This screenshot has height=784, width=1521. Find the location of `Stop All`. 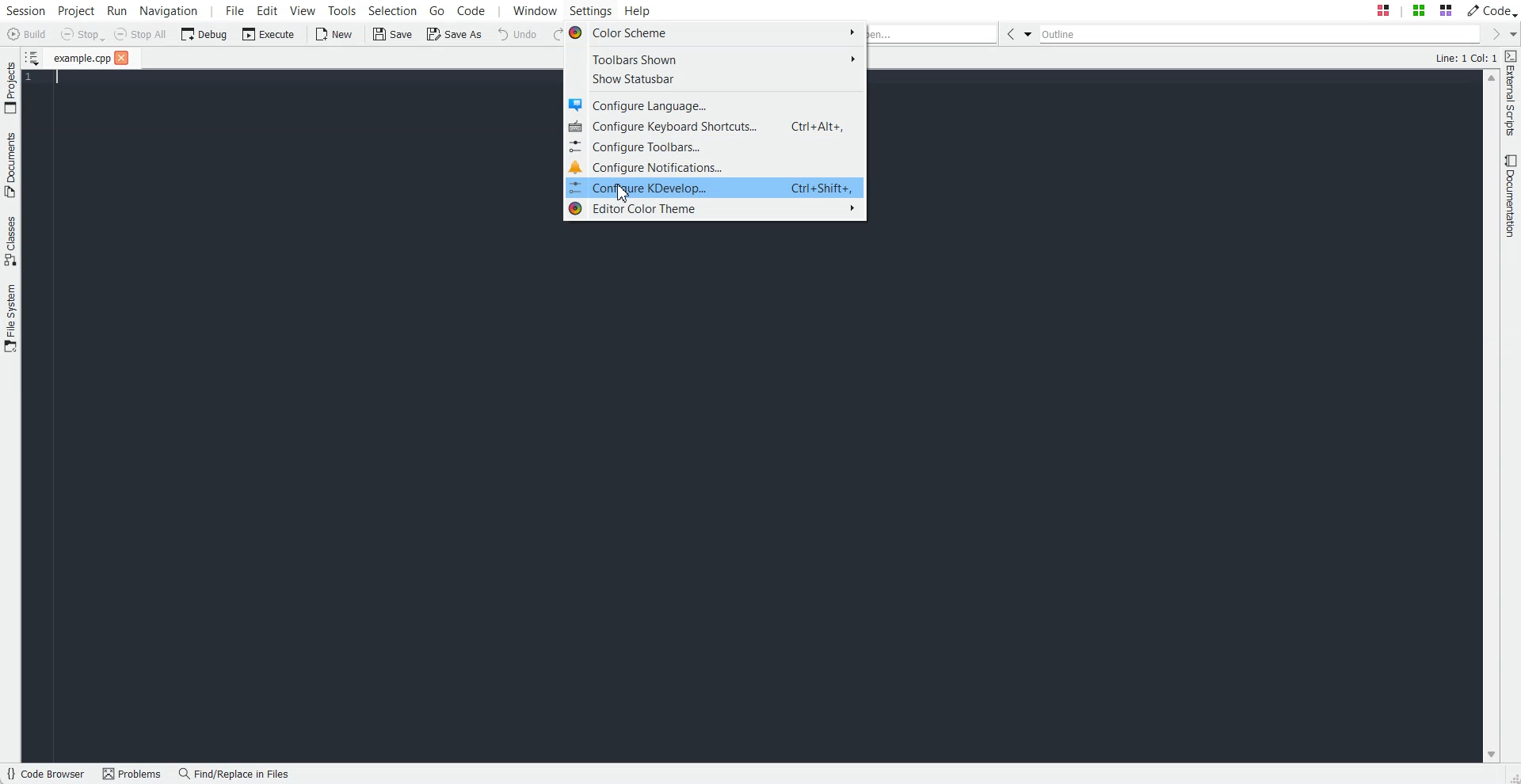

Stop All is located at coordinates (139, 34).